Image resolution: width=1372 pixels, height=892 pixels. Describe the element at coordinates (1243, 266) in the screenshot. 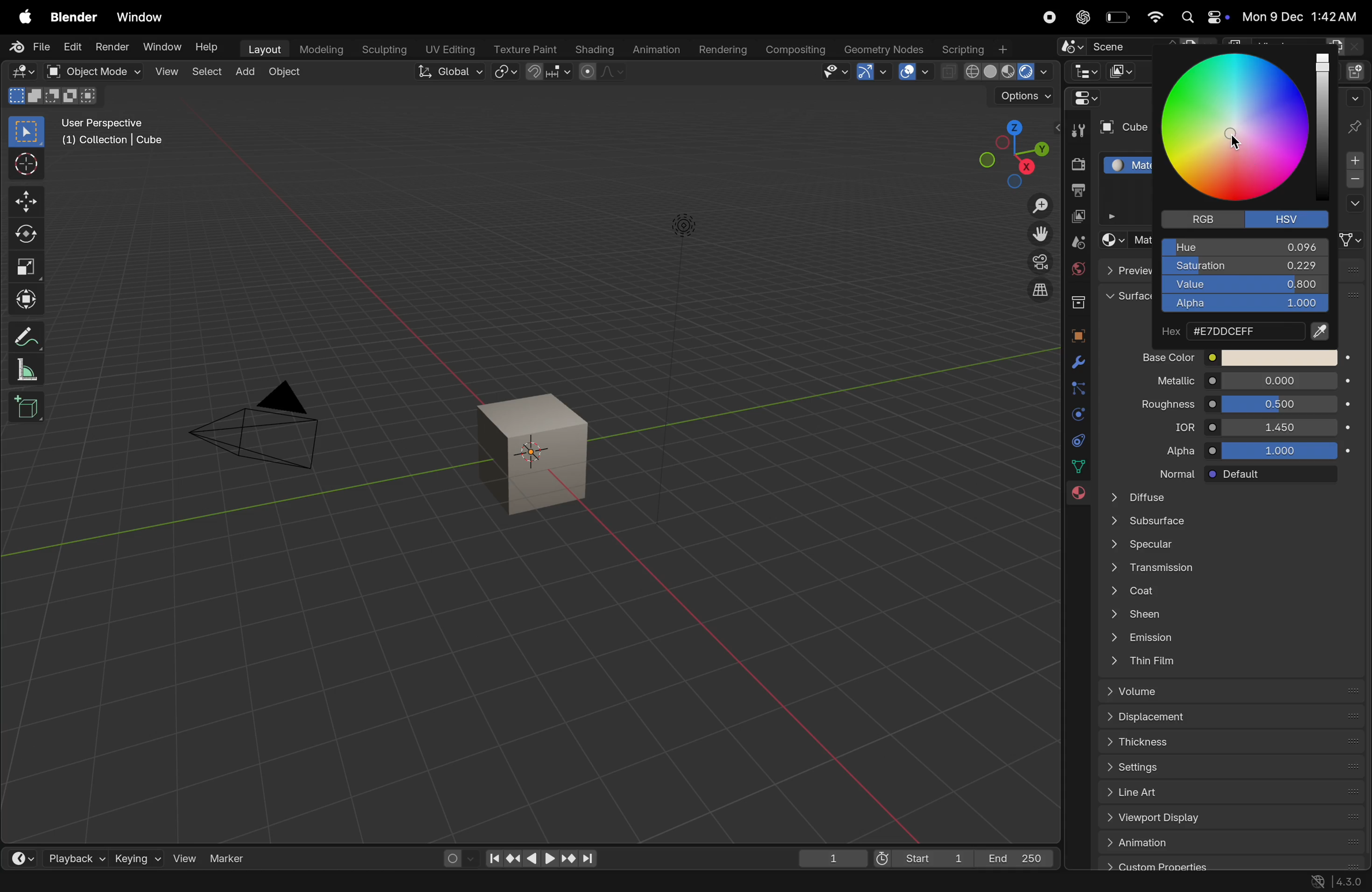

I see `Sauration` at that location.